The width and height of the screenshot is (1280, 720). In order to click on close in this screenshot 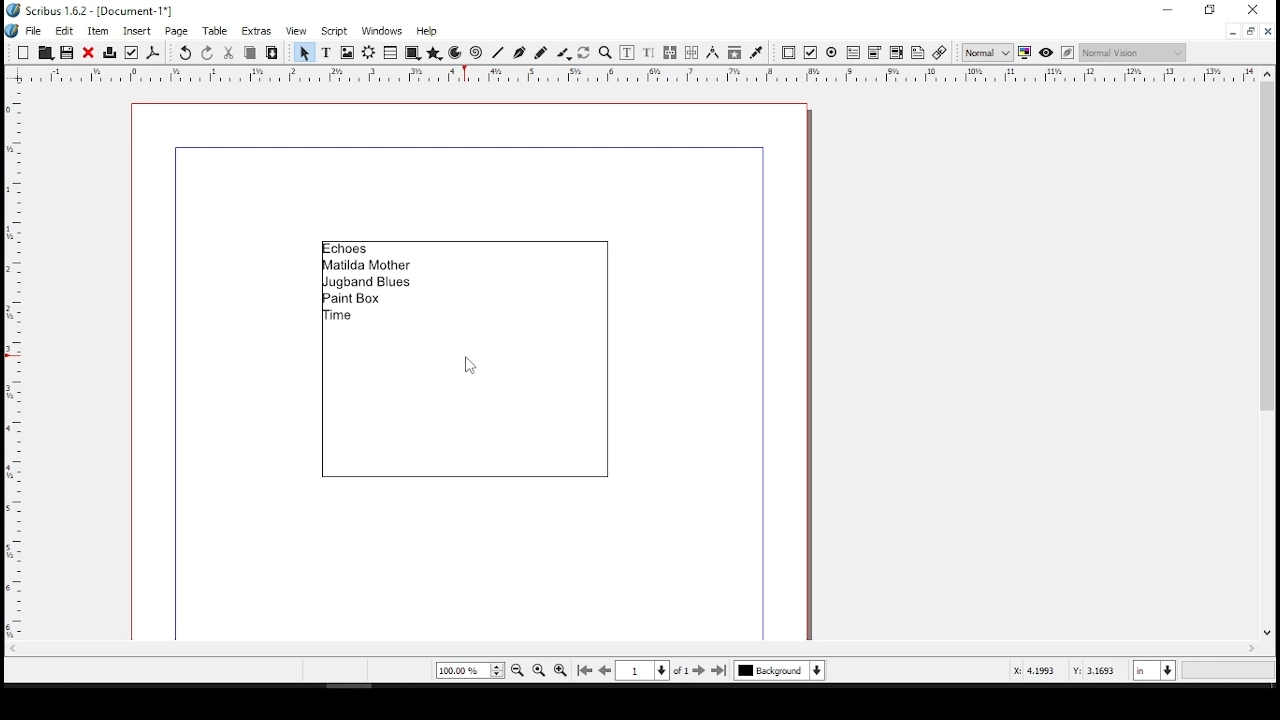, I will do `click(88, 52)`.